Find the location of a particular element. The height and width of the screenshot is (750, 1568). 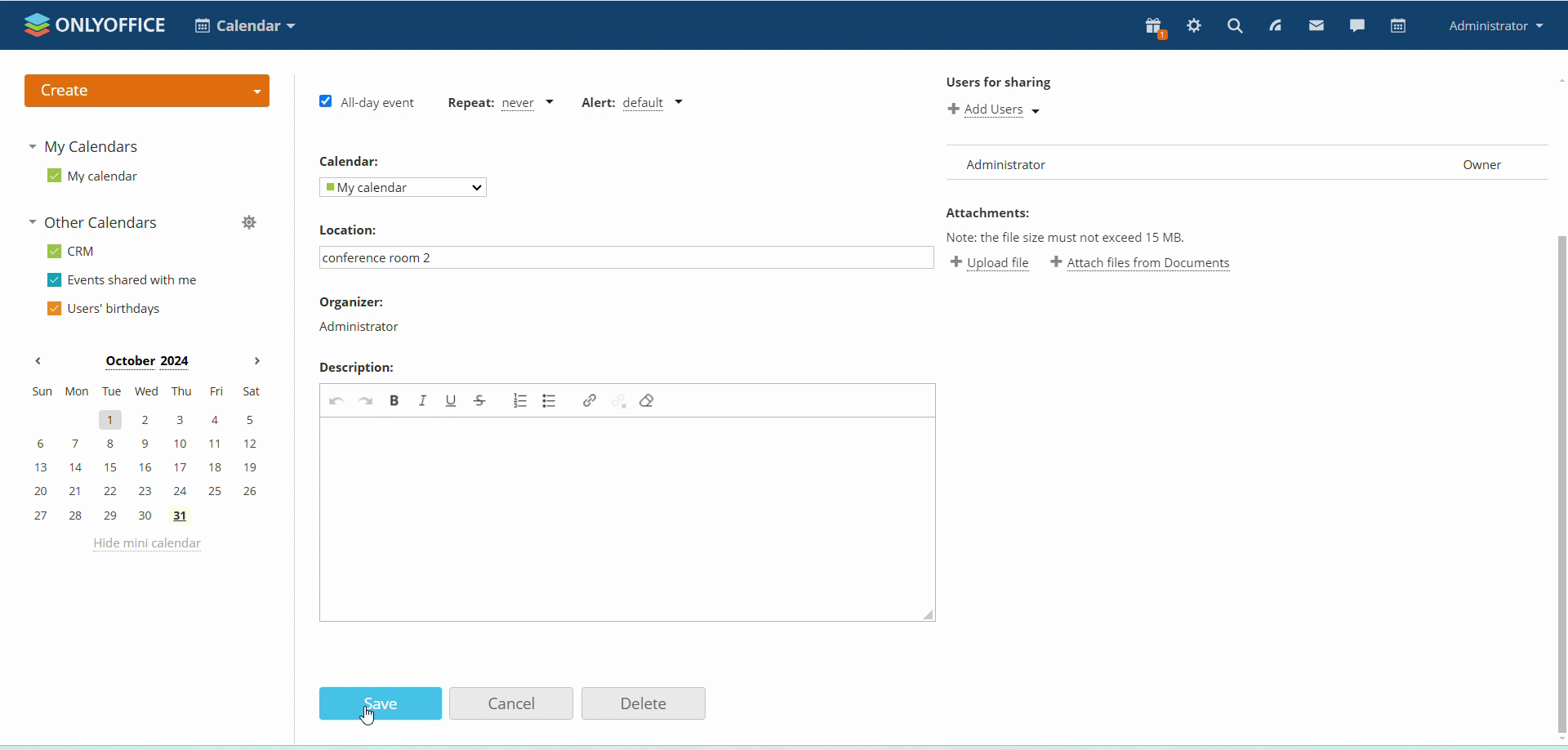

administrator is located at coordinates (1497, 27).